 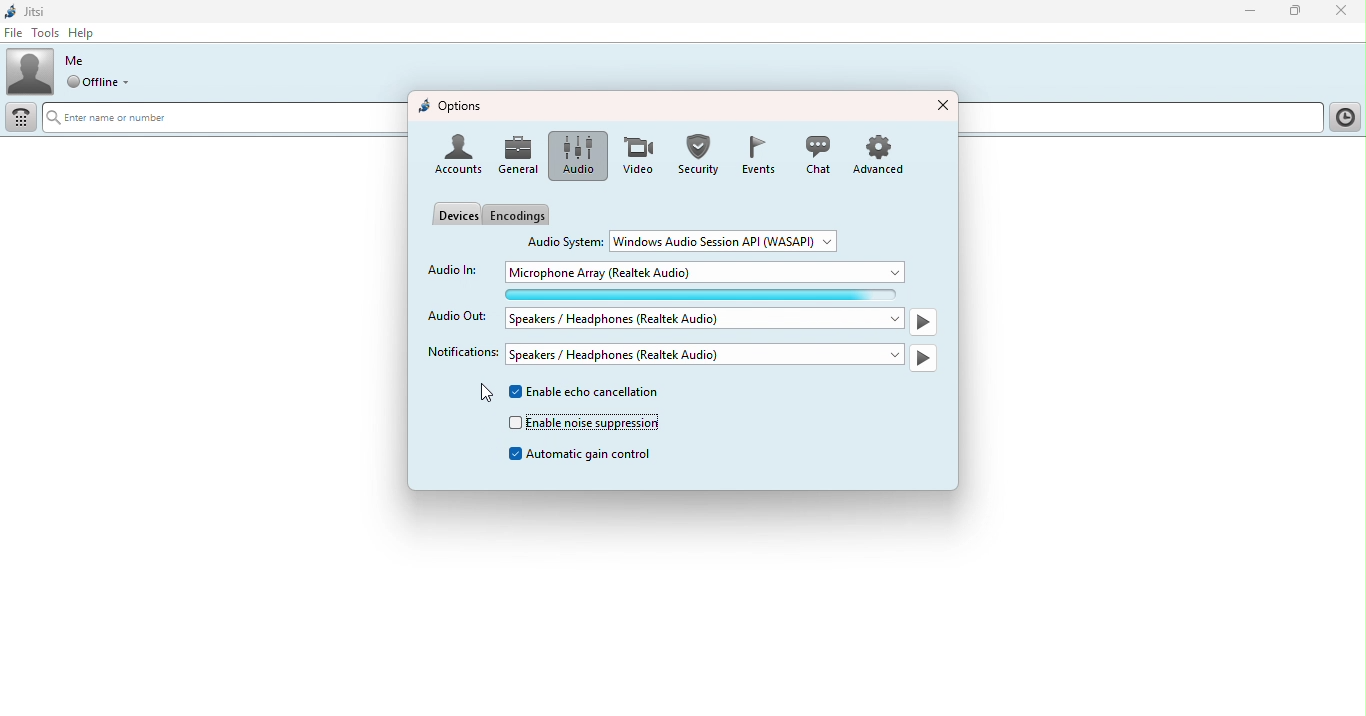 I want to click on Accounts, so click(x=457, y=156).